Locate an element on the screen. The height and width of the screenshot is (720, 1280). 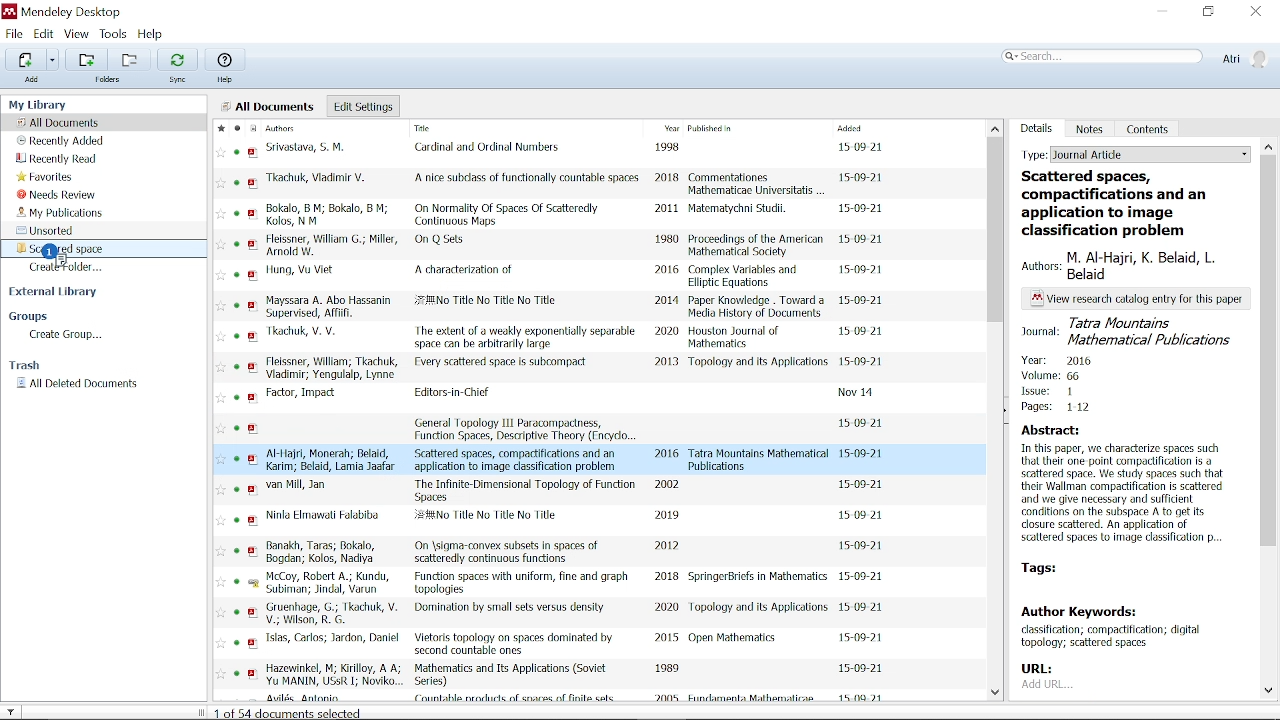
sync is located at coordinates (179, 81).